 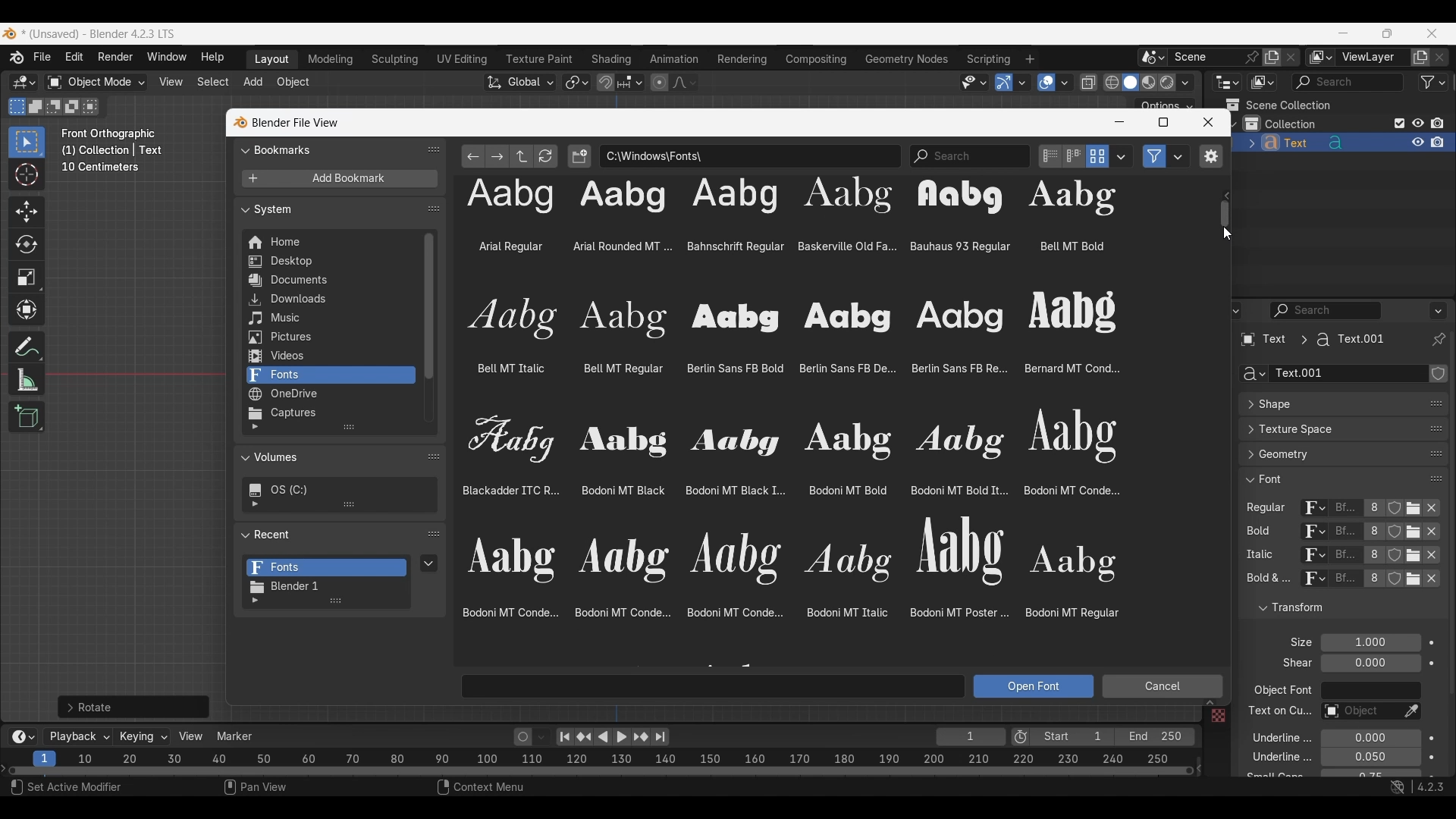 I want to click on Final frame of the playback rendering range, so click(x=1112, y=737).